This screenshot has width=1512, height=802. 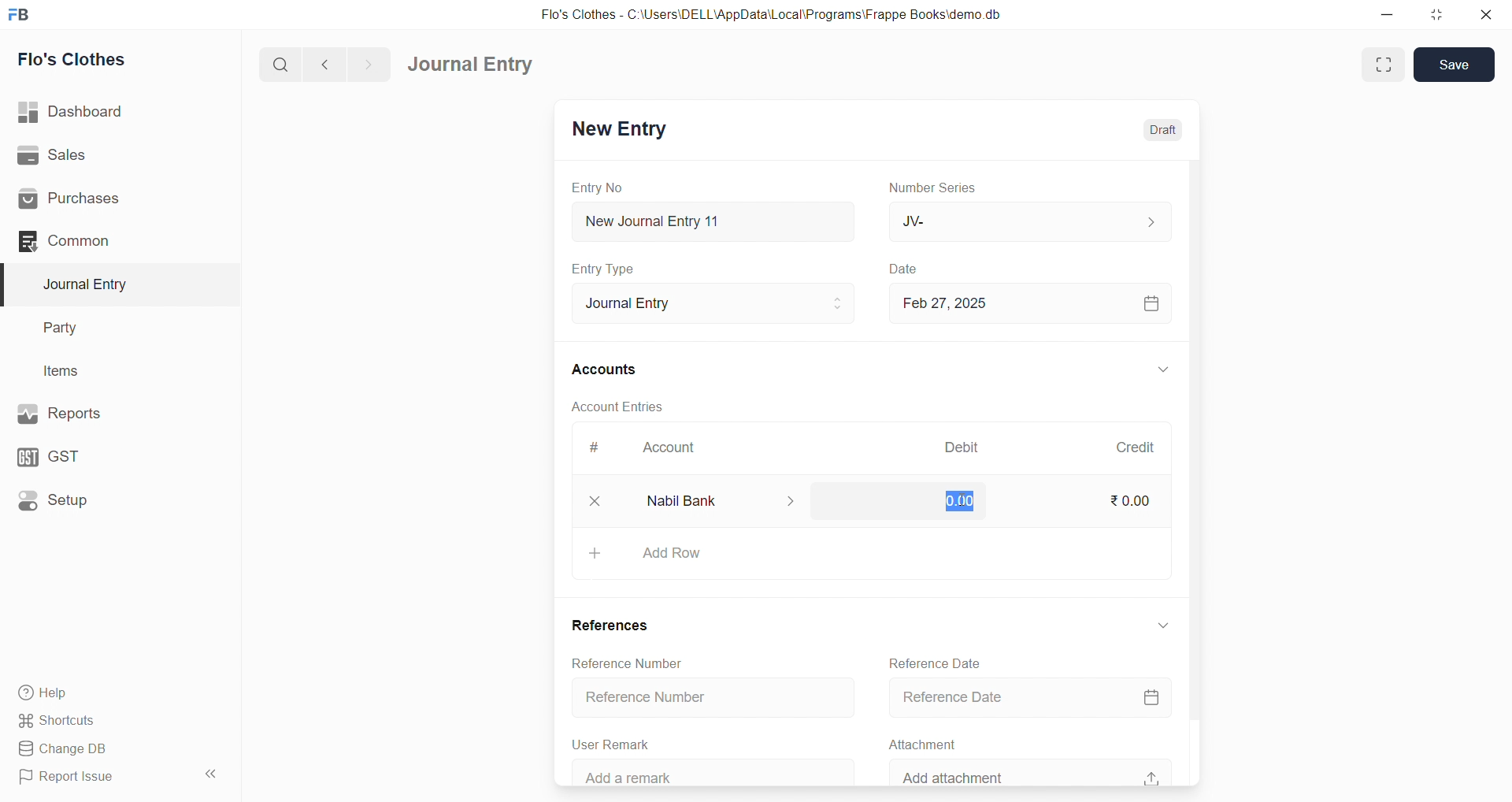 What do you see at coordinates (873, 554) in the screenshot?
I see `+ Add Row` at bounding box center [873, 554].